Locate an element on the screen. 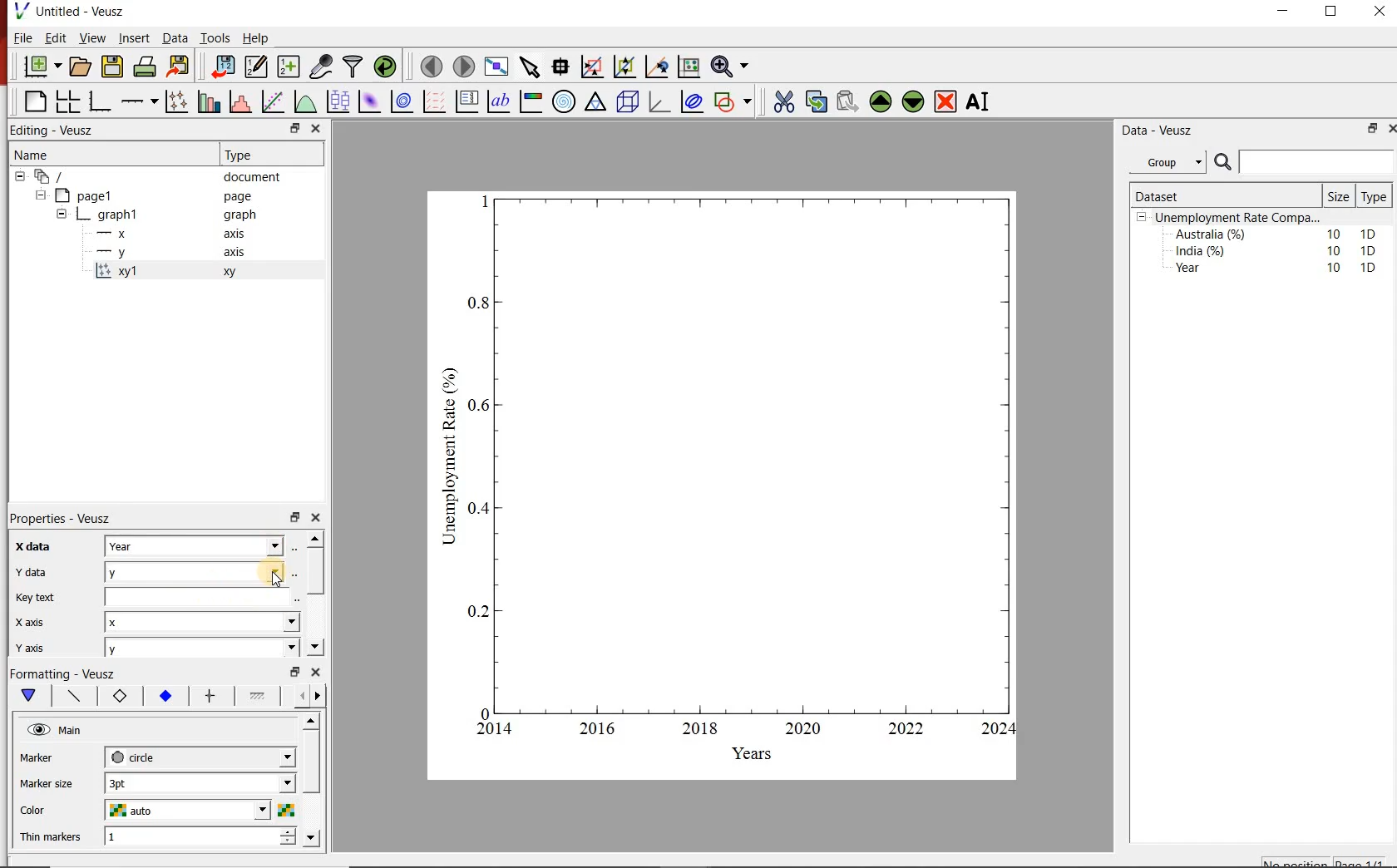 This screenshot has width=1397, height=868. move down is located at coordinates (314, 646).